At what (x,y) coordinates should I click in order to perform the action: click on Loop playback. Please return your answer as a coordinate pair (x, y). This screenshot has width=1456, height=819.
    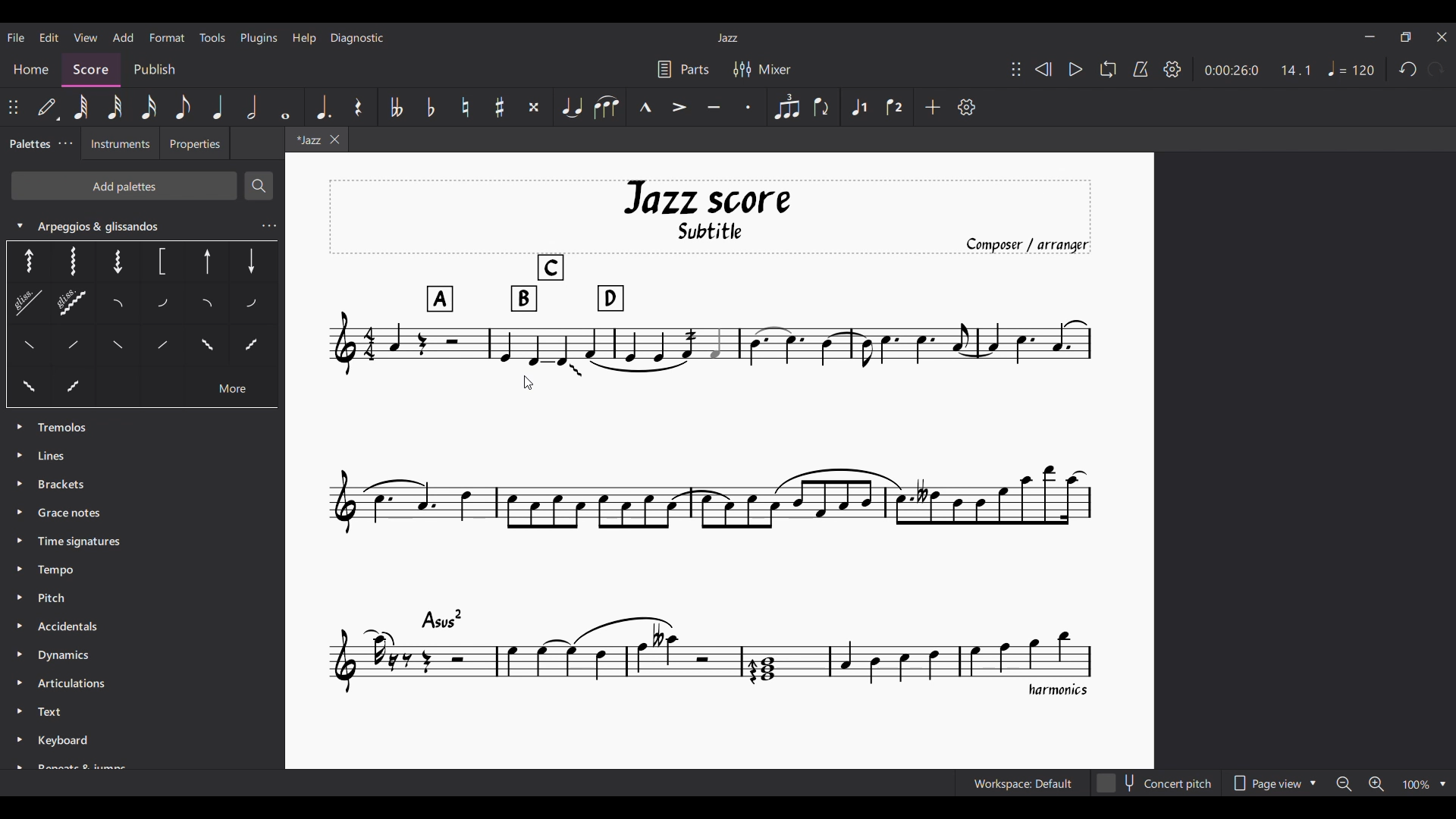
    Looking at the image, I should click on (1108, 69).